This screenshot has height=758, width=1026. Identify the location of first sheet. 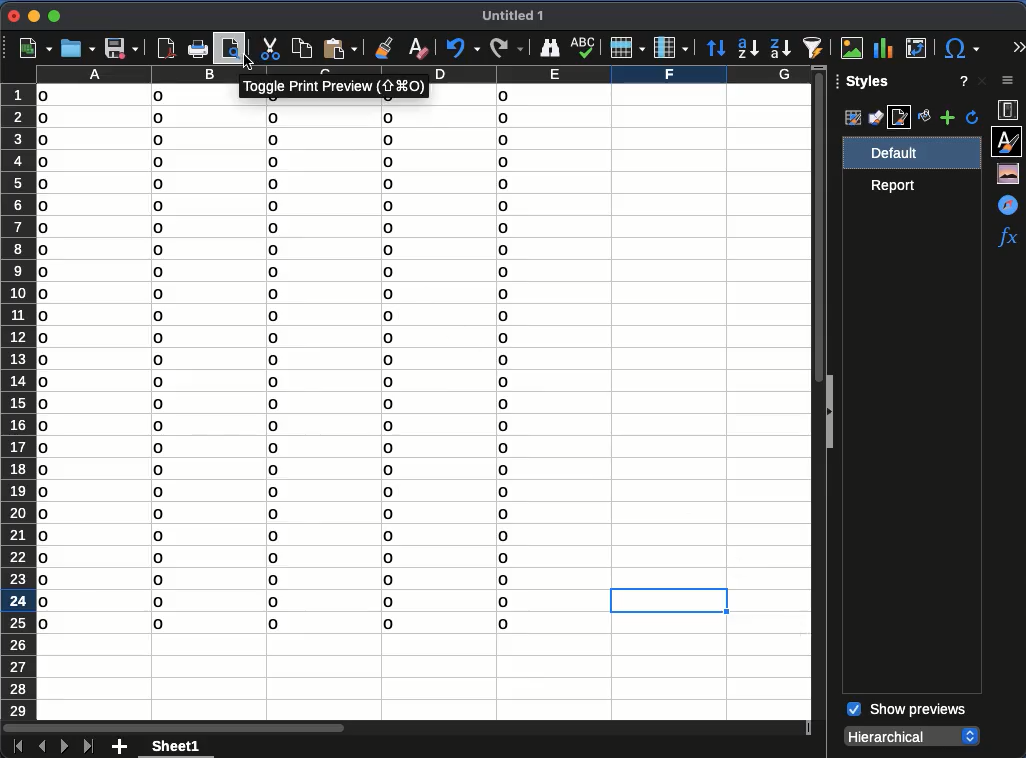
(15, 745).